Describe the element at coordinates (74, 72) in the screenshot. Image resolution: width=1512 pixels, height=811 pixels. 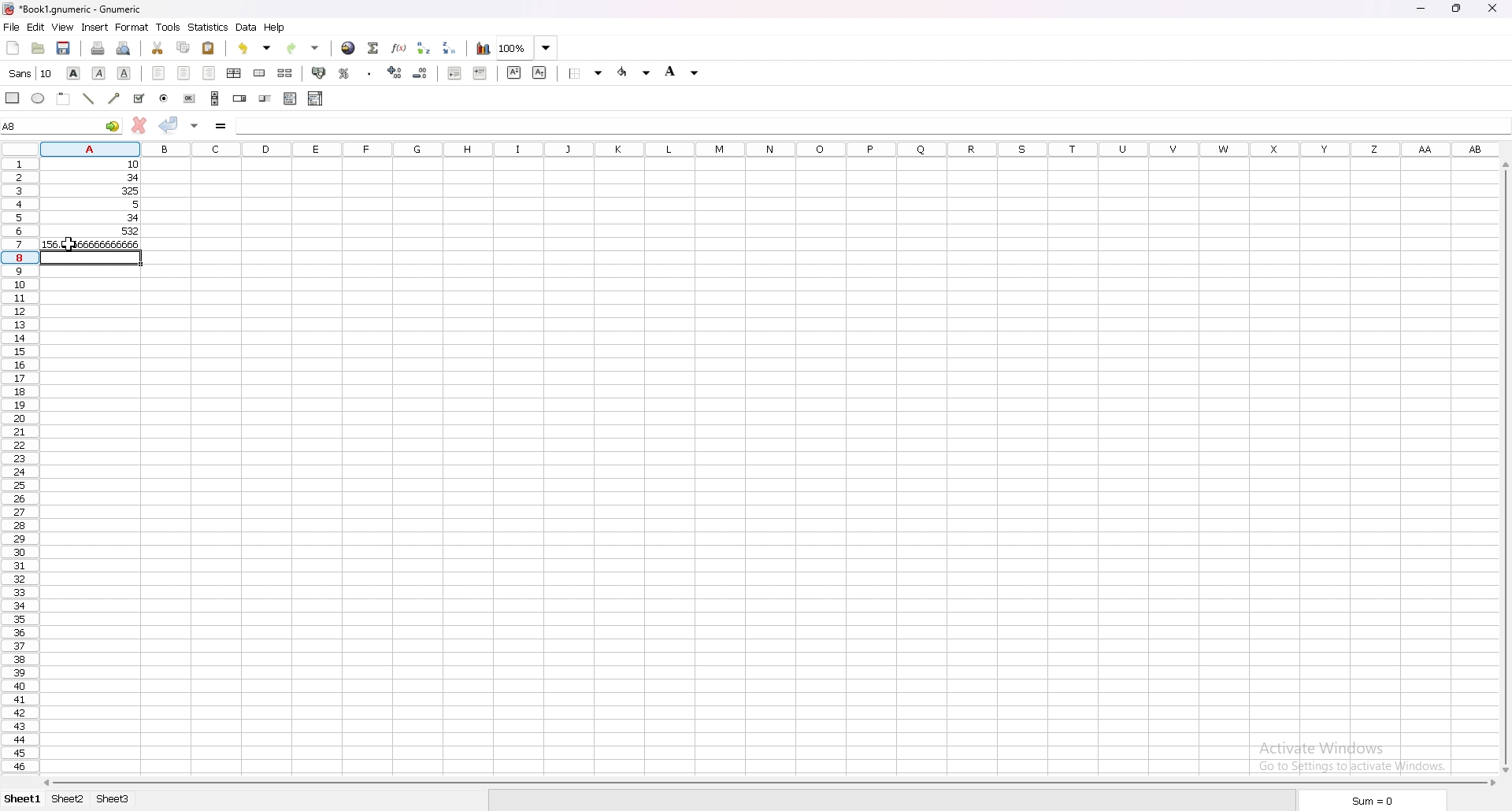
I see `bold` at that location.